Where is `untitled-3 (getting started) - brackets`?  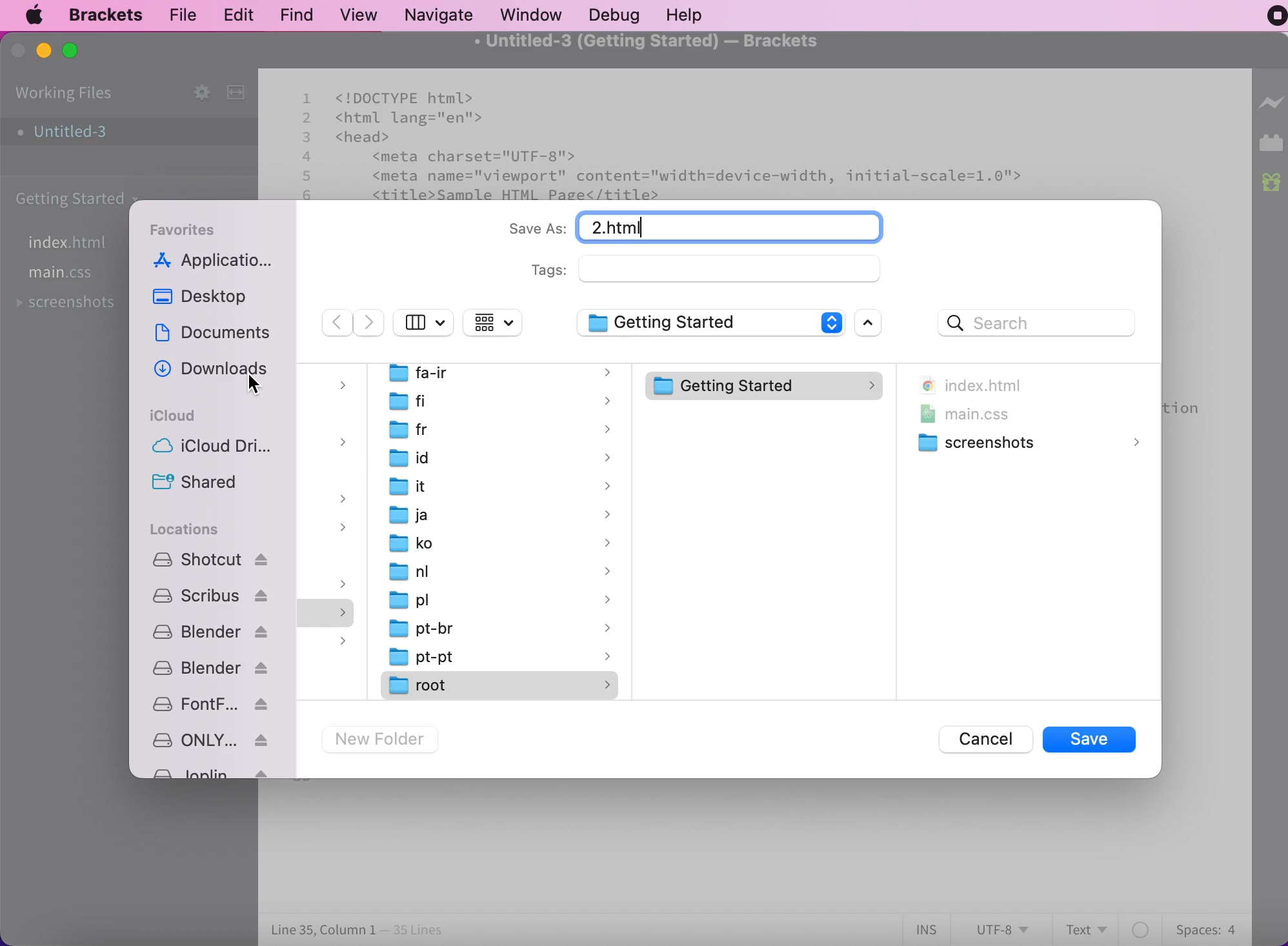 untitled-3 (getting started) - brackets is located at coordinates (666, 47).